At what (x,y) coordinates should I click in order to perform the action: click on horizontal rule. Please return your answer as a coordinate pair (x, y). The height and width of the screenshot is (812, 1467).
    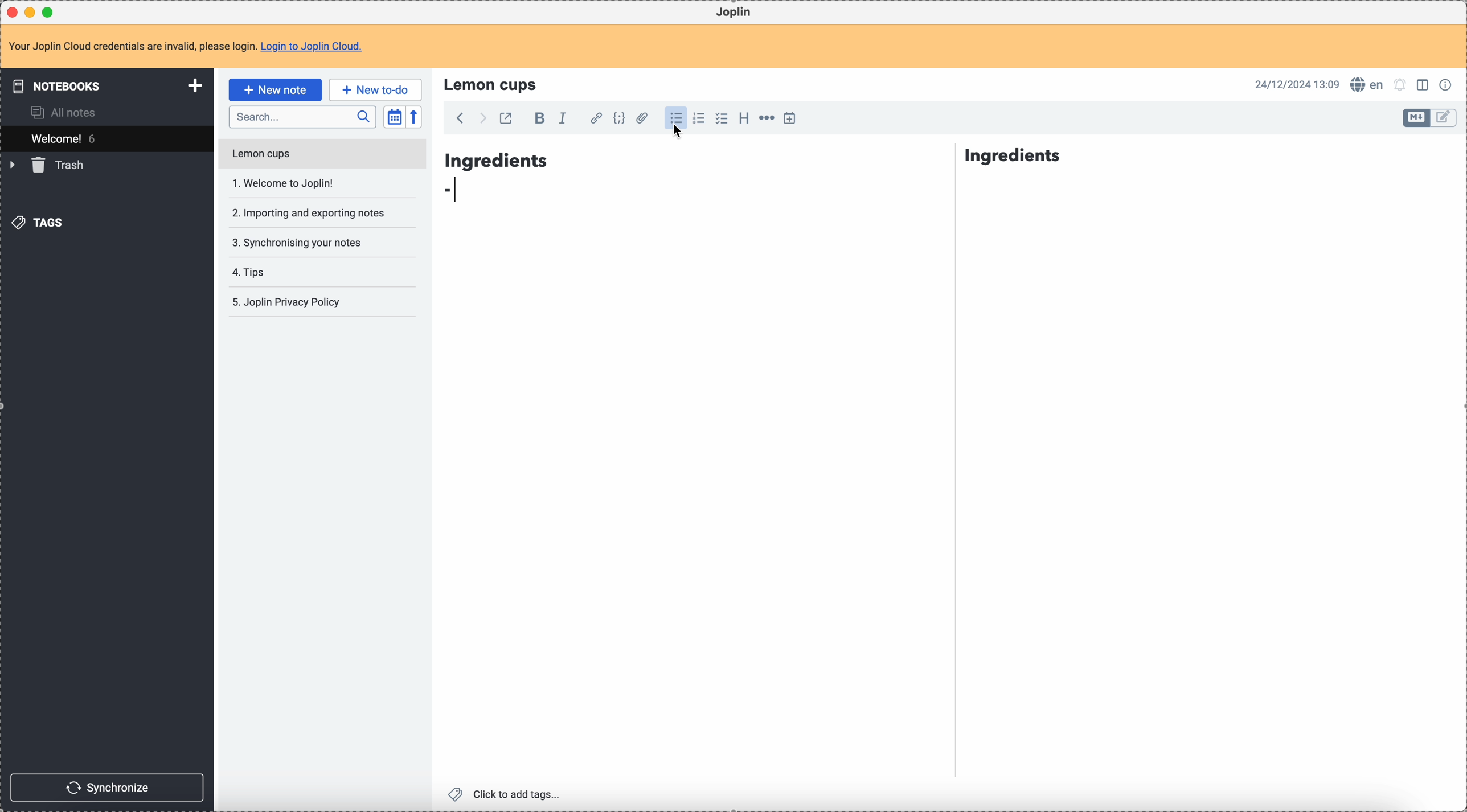
    Looking at the image, I should click on (765, 120).